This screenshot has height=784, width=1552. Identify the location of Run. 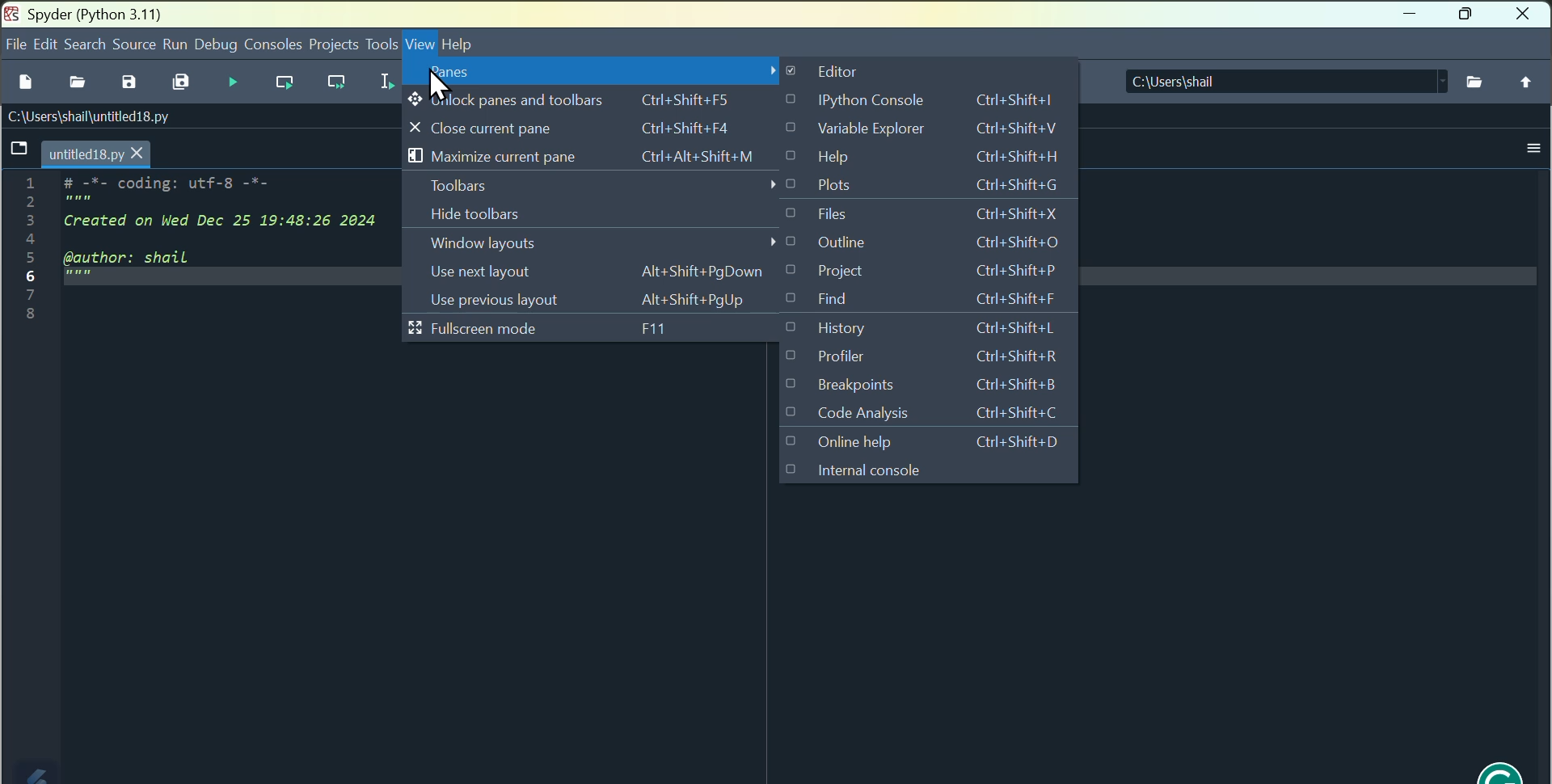
(177, 43).